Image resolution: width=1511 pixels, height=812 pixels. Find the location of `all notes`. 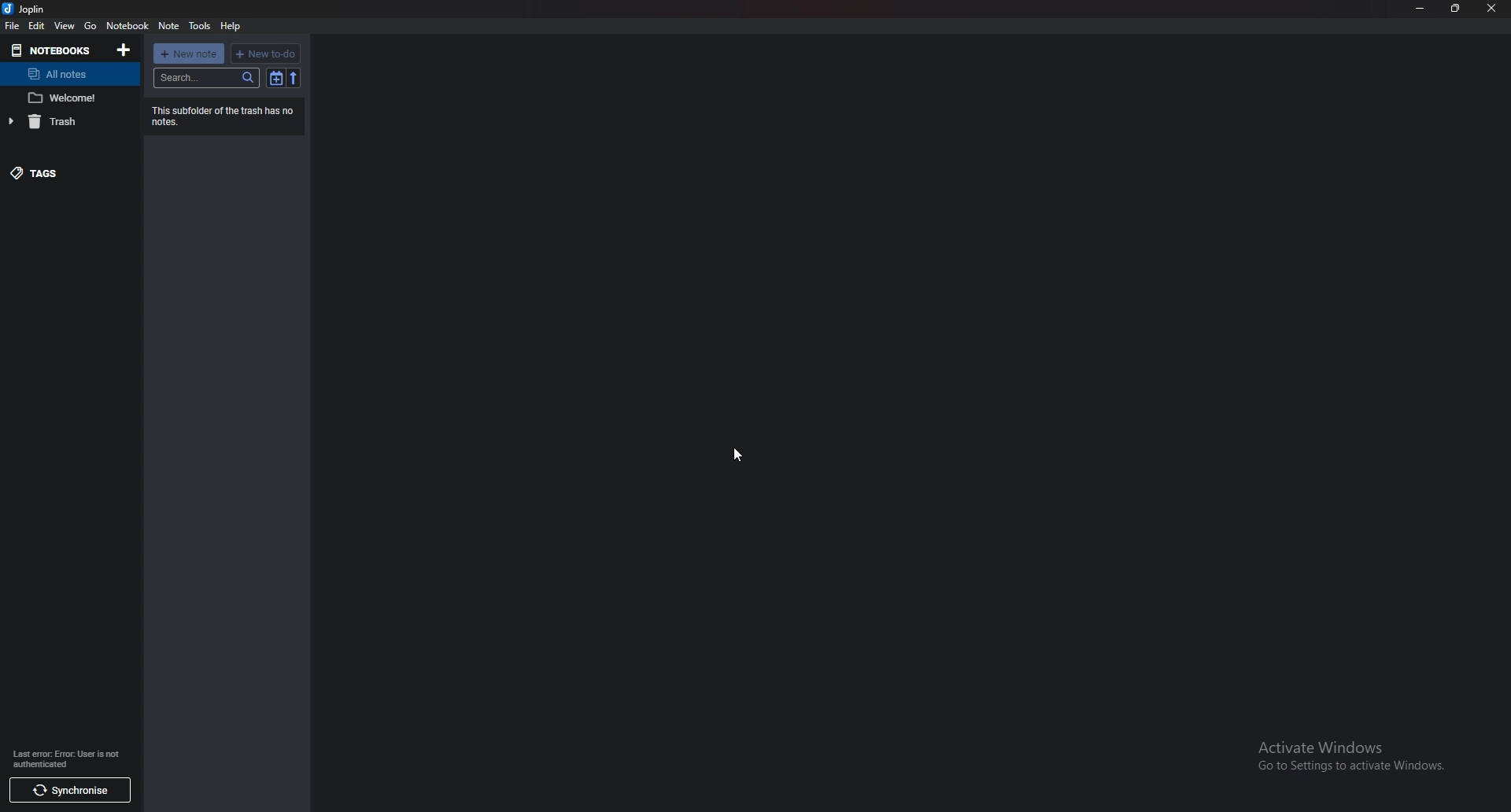

all notes is located at coordinates (62, 75).